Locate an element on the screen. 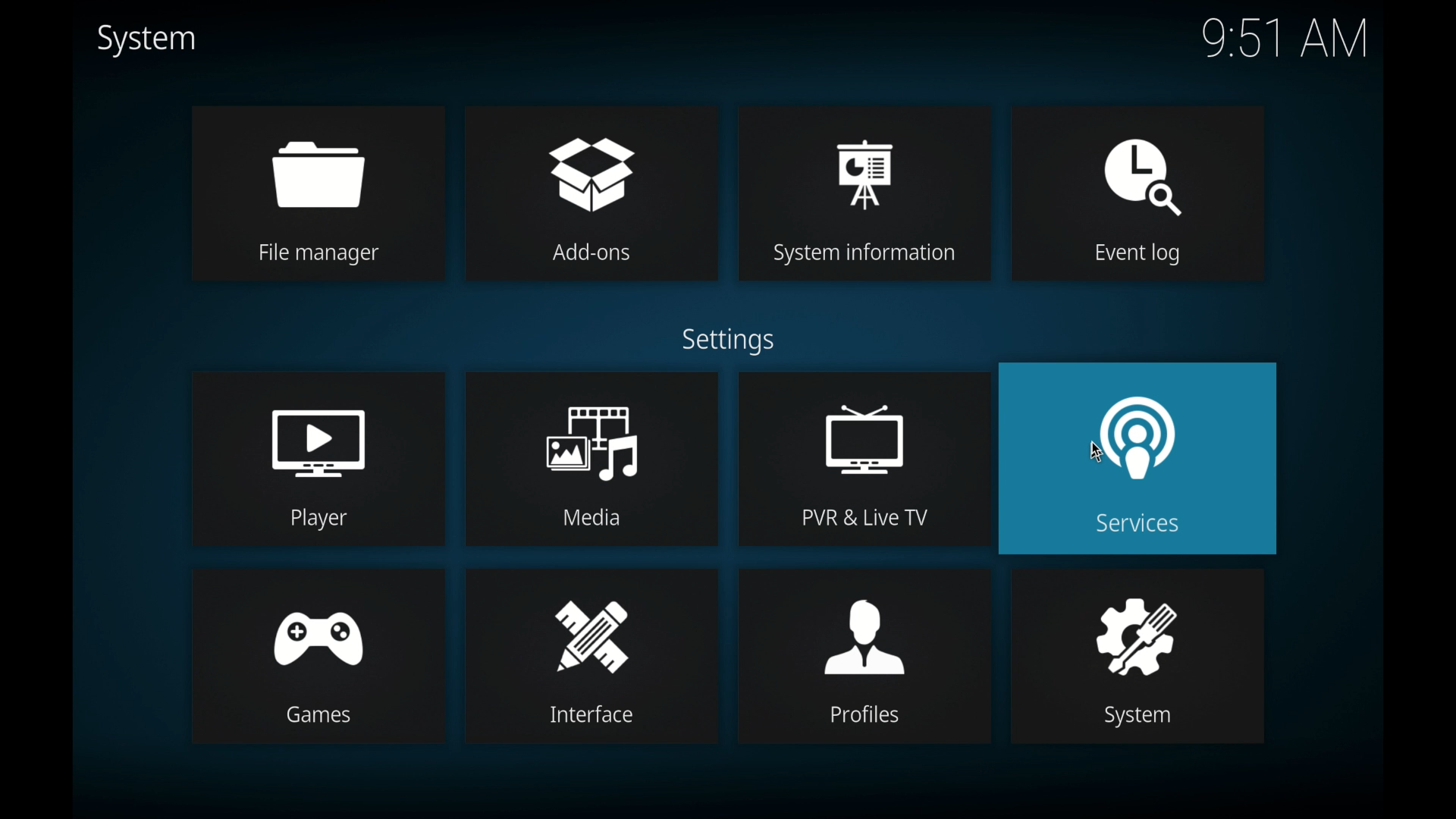  media is located at coordinates (592, 459).